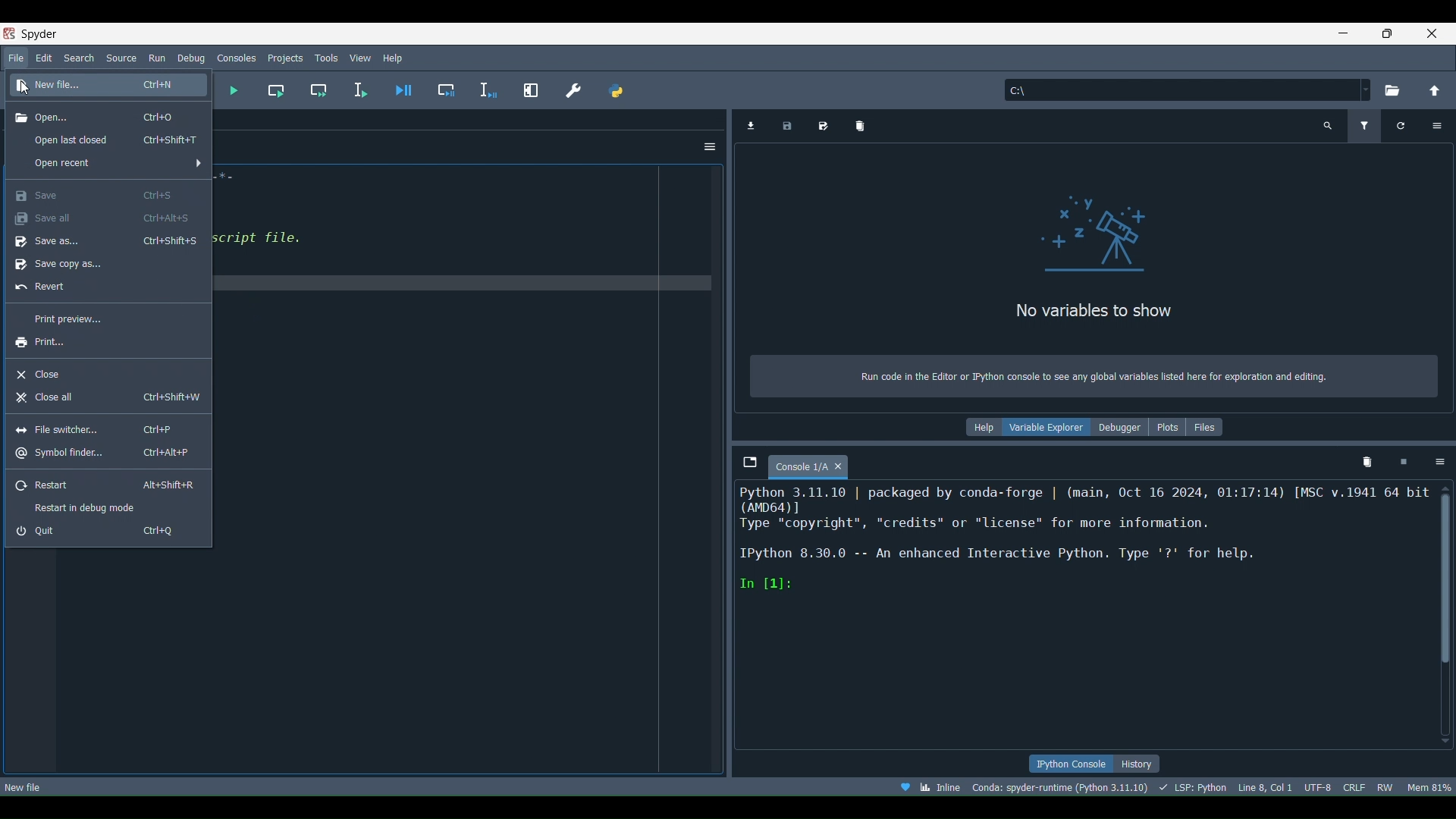 Image resolution: width=1456 pixels, height=819 pixels. I want to click on Quit, so click(100, 529).